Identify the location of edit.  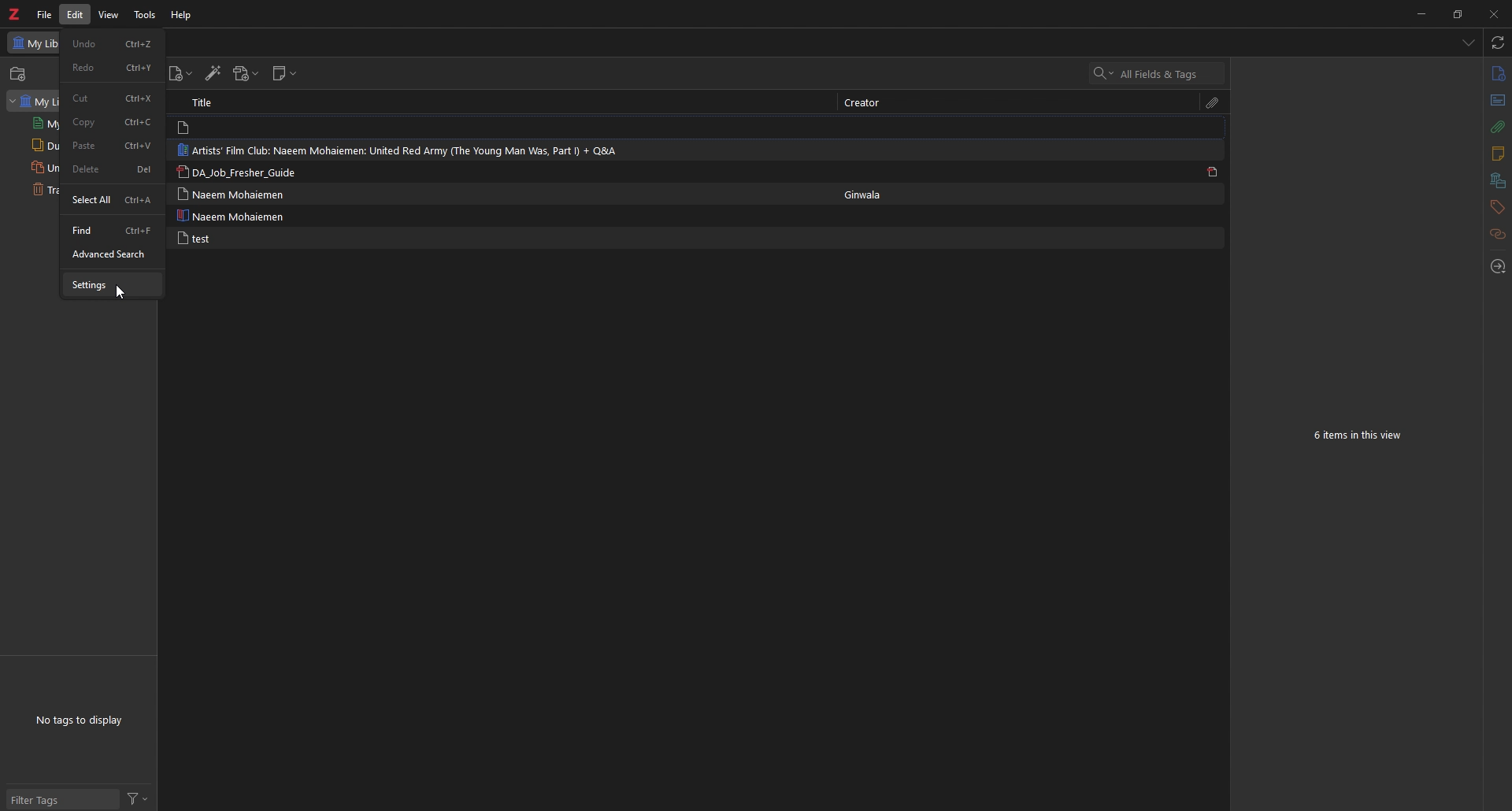
(77, 15).